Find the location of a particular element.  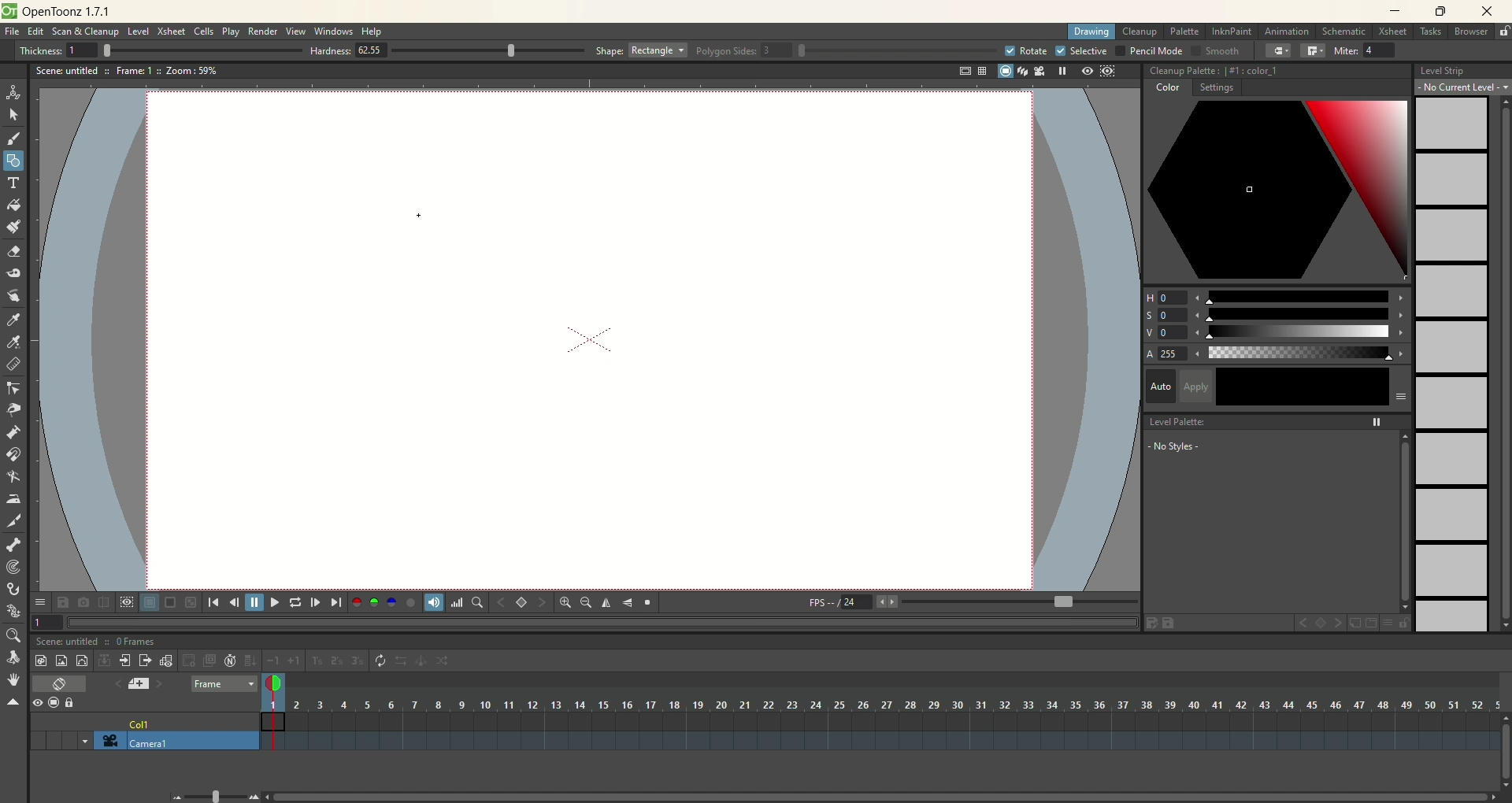

miter is located at coordinates (1367, 50).